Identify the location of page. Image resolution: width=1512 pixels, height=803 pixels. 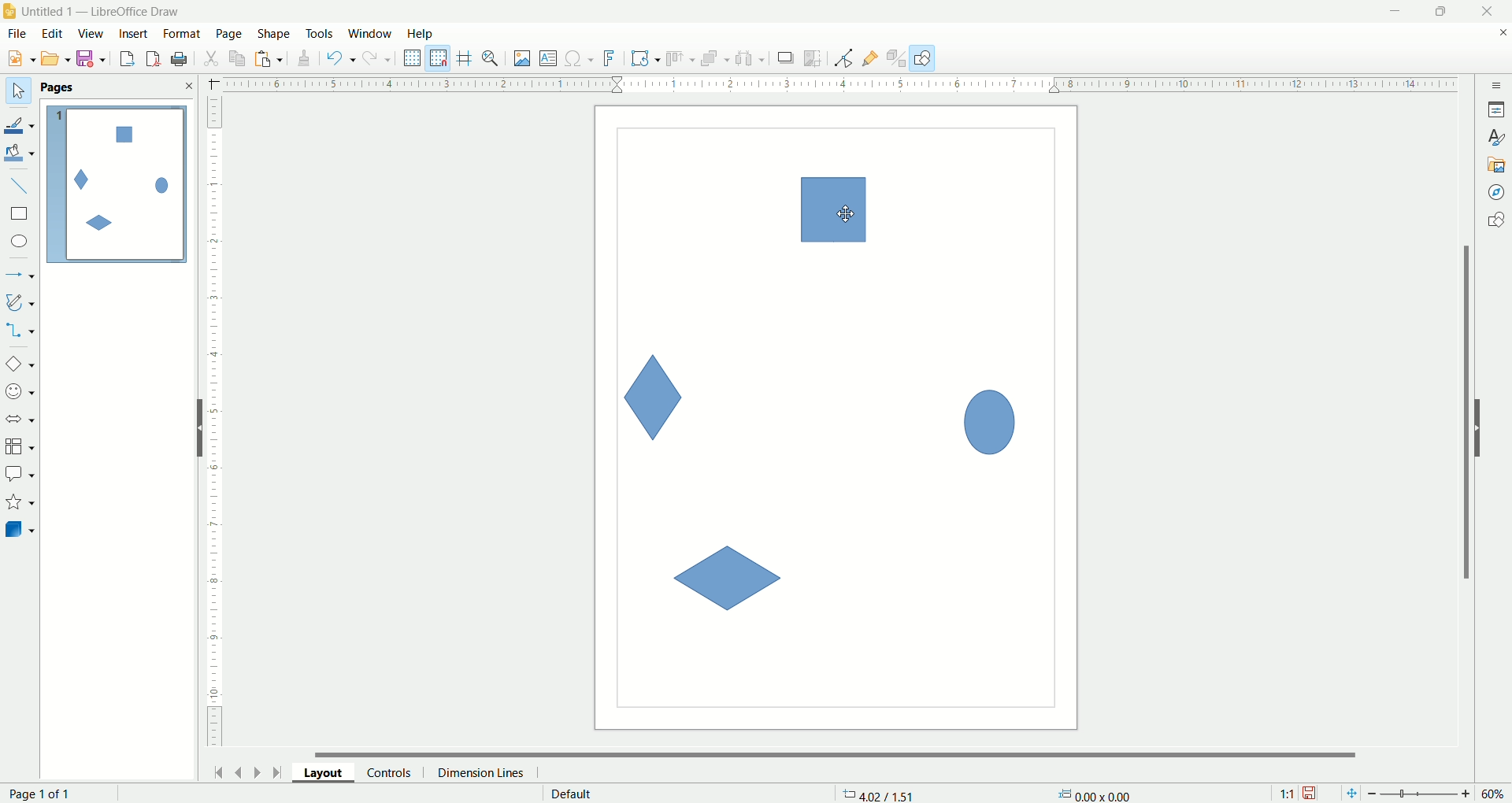
(231, 33).